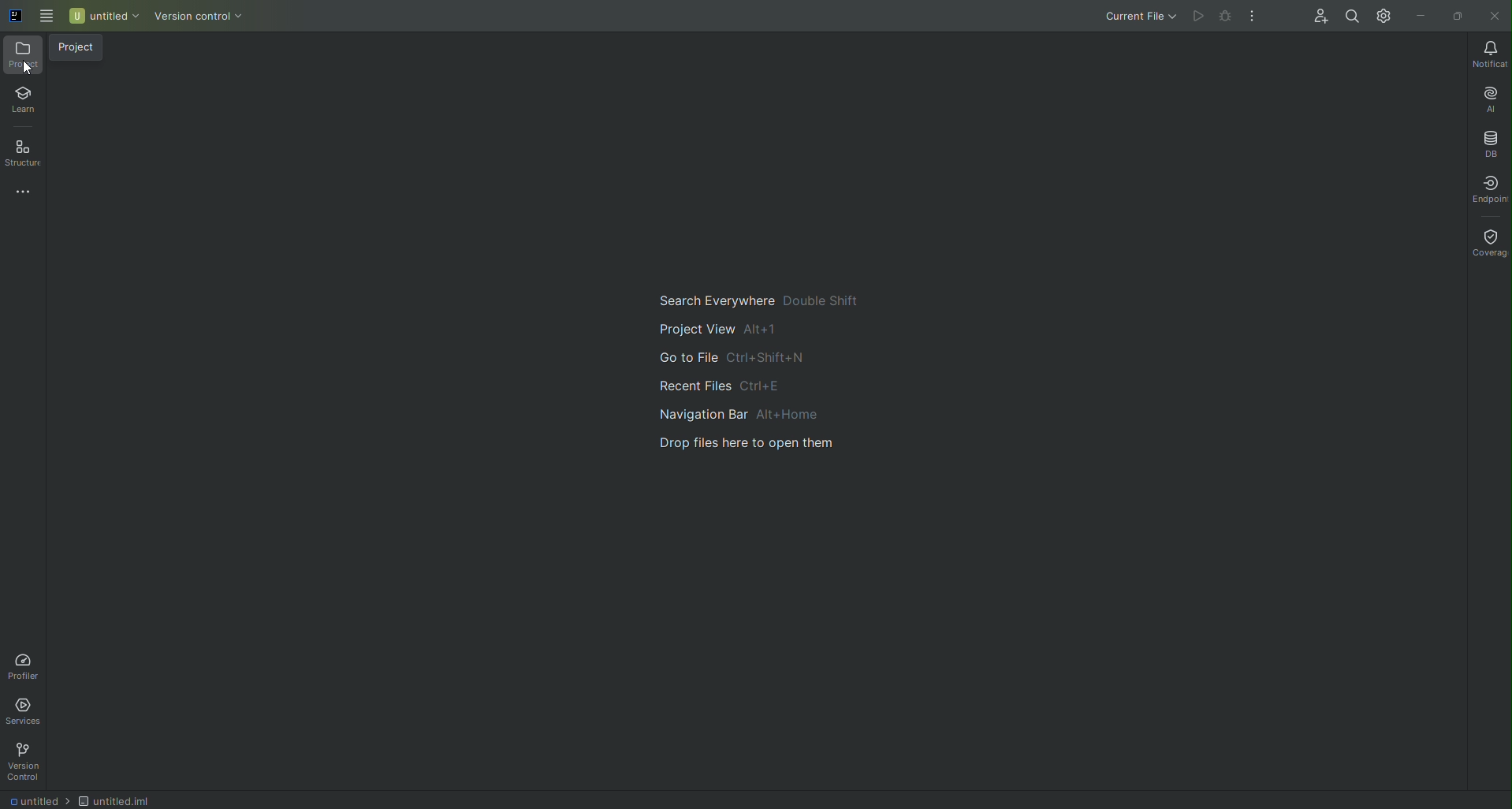  I want to click on Restore, so click(1458, 15).